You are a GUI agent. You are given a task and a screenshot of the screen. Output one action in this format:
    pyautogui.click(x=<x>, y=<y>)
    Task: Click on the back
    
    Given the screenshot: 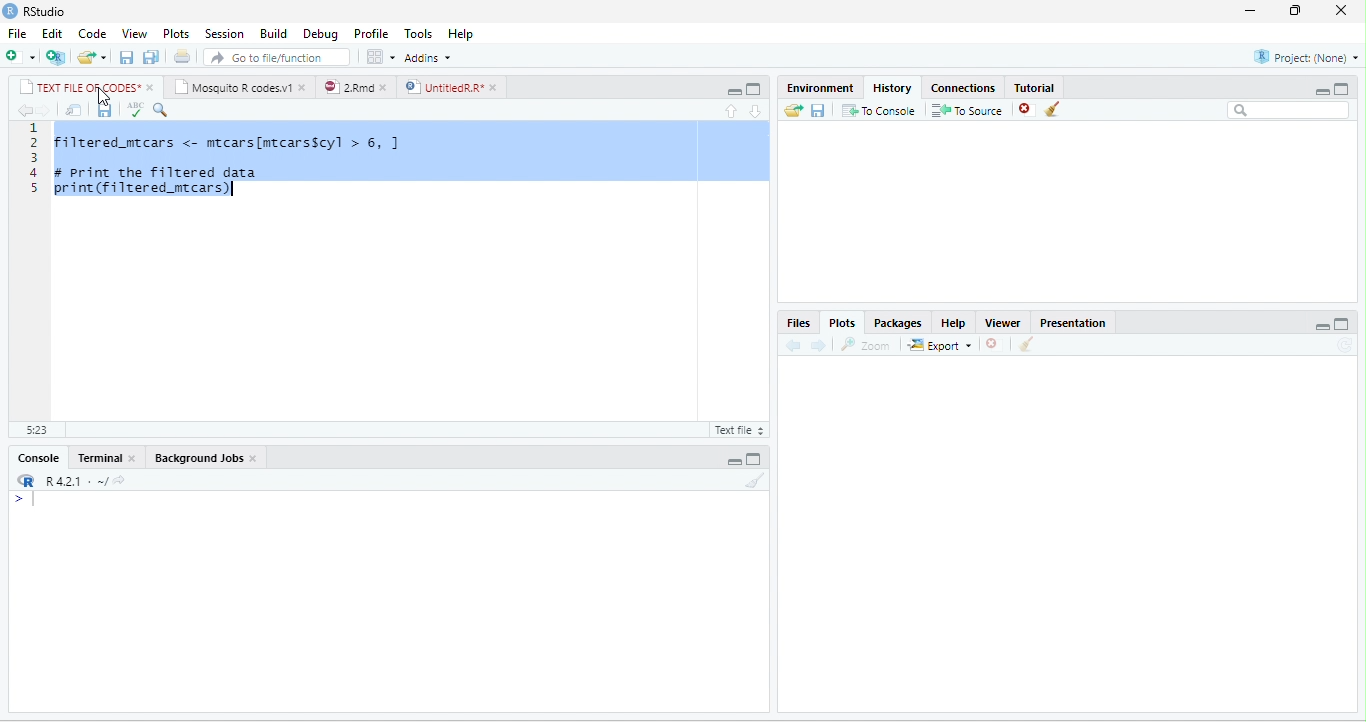 What is the action you would take?
    pyautogui.click(x=794, y=345)
    